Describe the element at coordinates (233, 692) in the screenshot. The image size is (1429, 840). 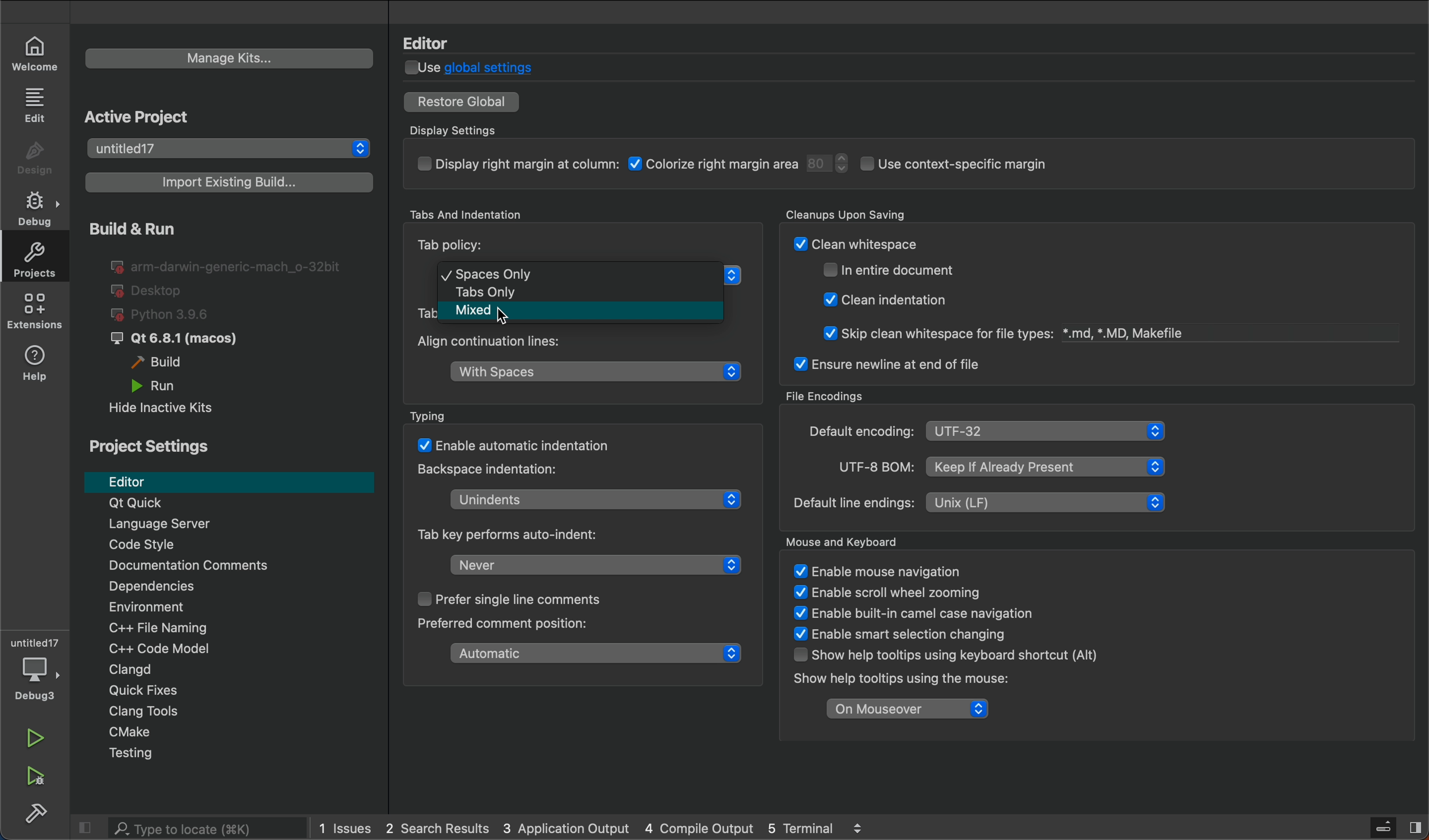
I see `Quick fixes` at that location.